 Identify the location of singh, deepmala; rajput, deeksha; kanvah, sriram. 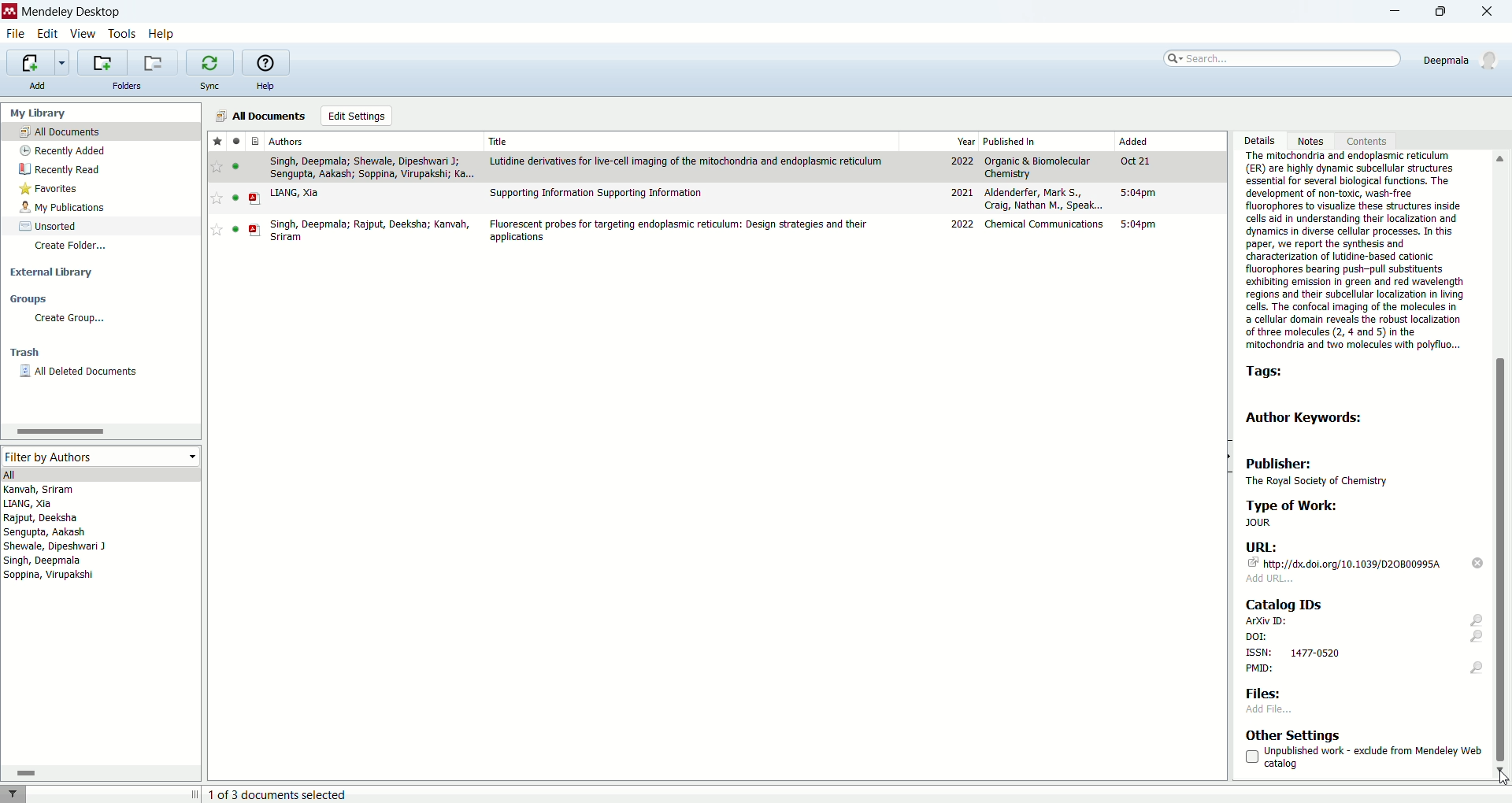
(371, 231).